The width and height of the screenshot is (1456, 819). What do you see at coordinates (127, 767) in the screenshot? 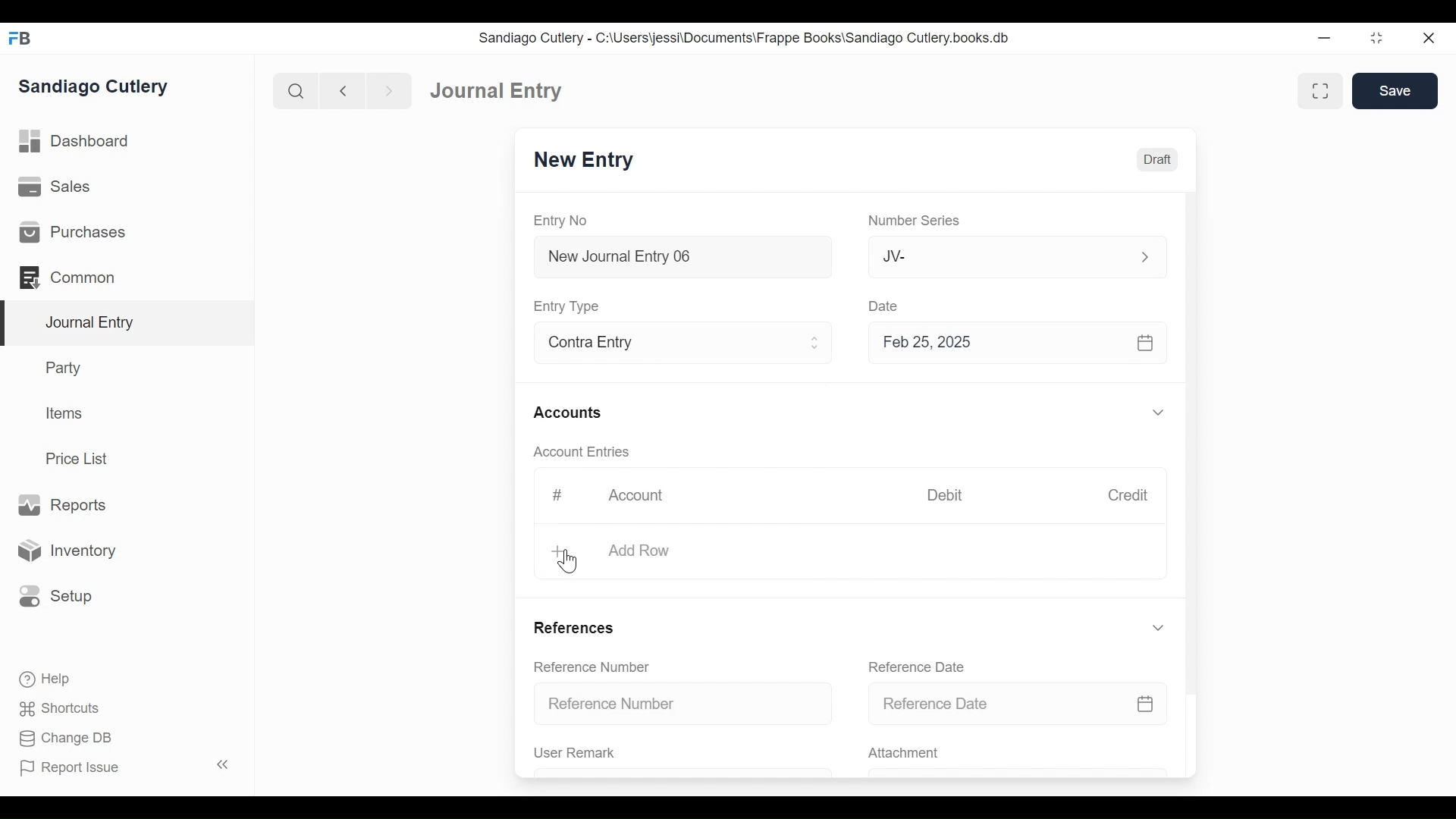
I see `Report Issue` at bounding box center [127, 767].